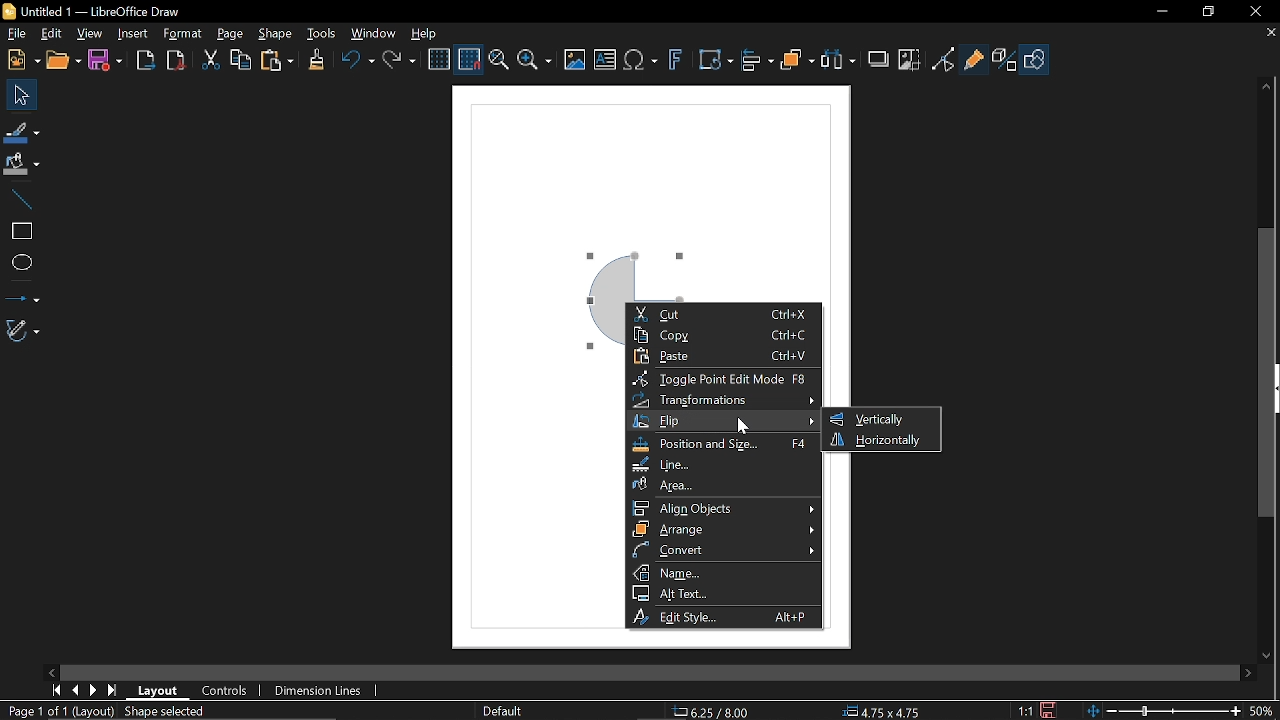  What do you see at coordinates (20, 60) in the screenshot?
I see `new` at bounding box center [20, 60].